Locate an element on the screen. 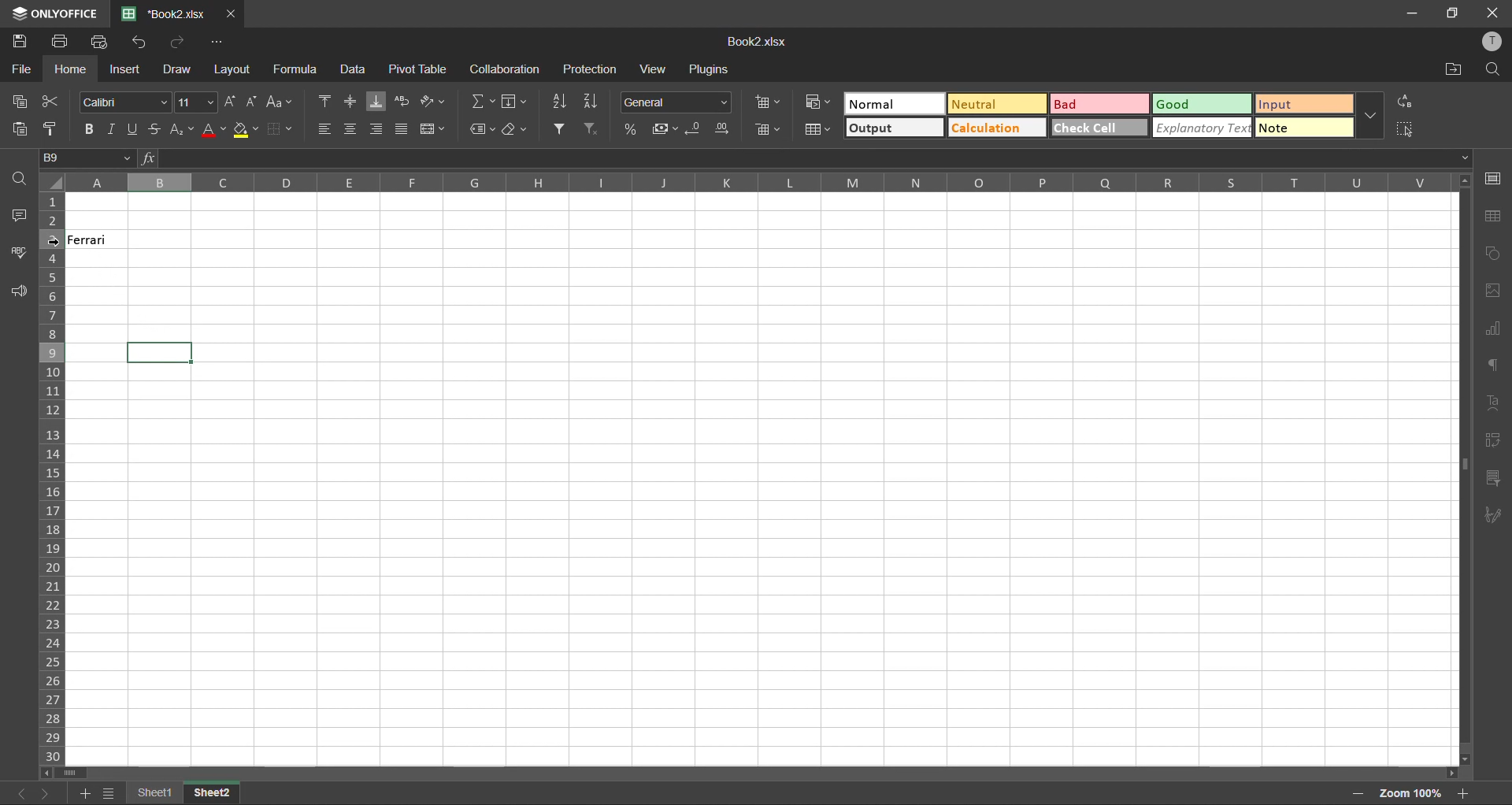 The height and width of the screenshot is (805, 1512). fields is located at coordinates (517, 101).